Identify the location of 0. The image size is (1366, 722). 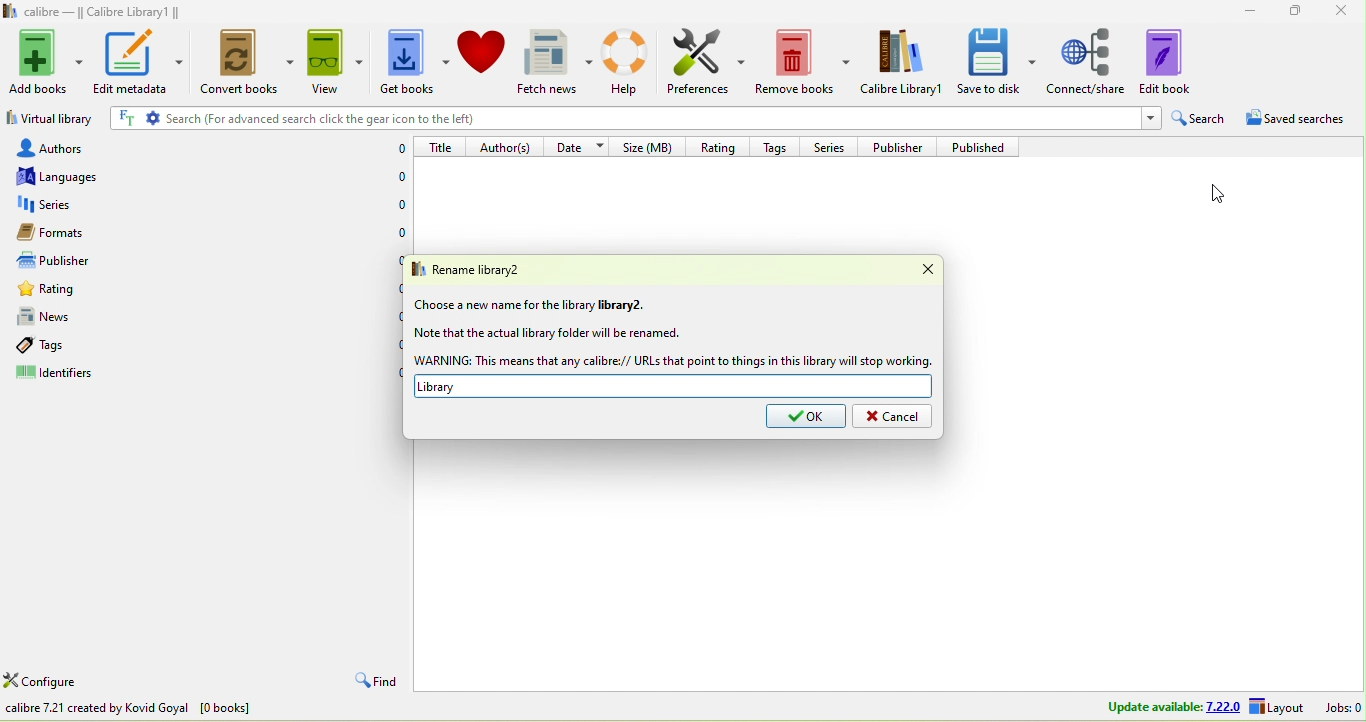
(391, 373).